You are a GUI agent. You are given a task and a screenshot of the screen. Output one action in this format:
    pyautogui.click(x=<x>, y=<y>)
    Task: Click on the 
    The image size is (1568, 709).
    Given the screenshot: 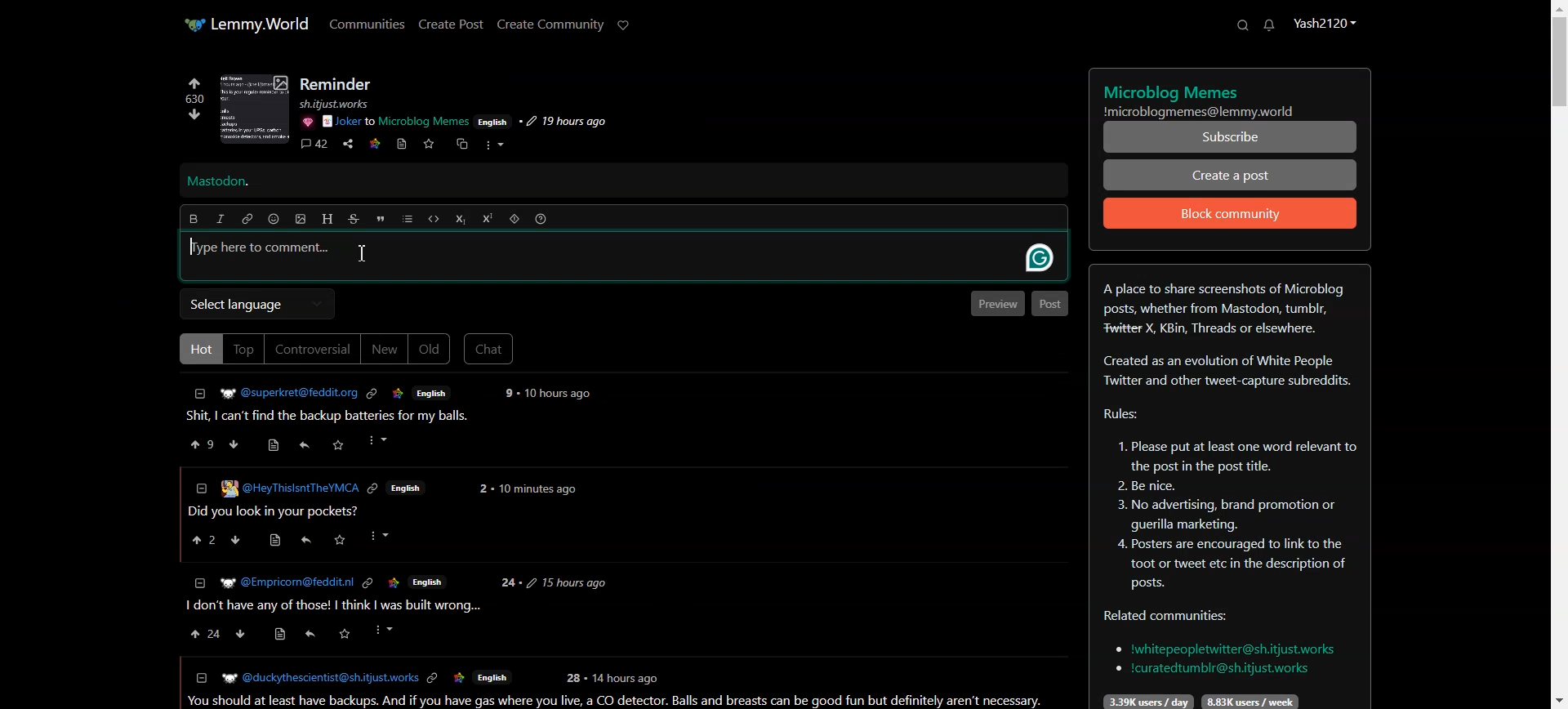 What is the action you would take?
    pyautogui.click(x=374, y=490)
    